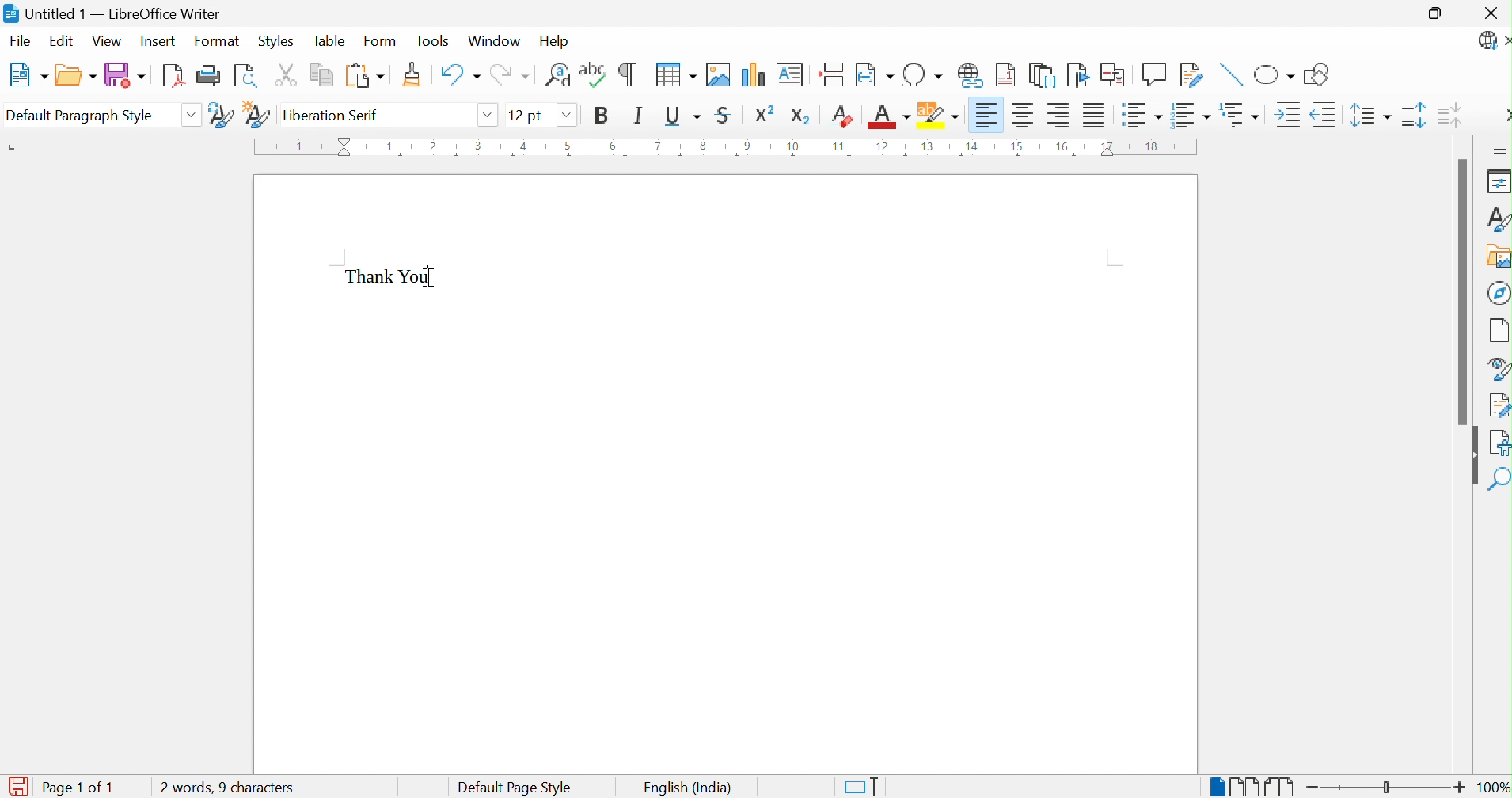 This screenshot has width=1512, height=798. I want to click on Insert, so click(160, 40).